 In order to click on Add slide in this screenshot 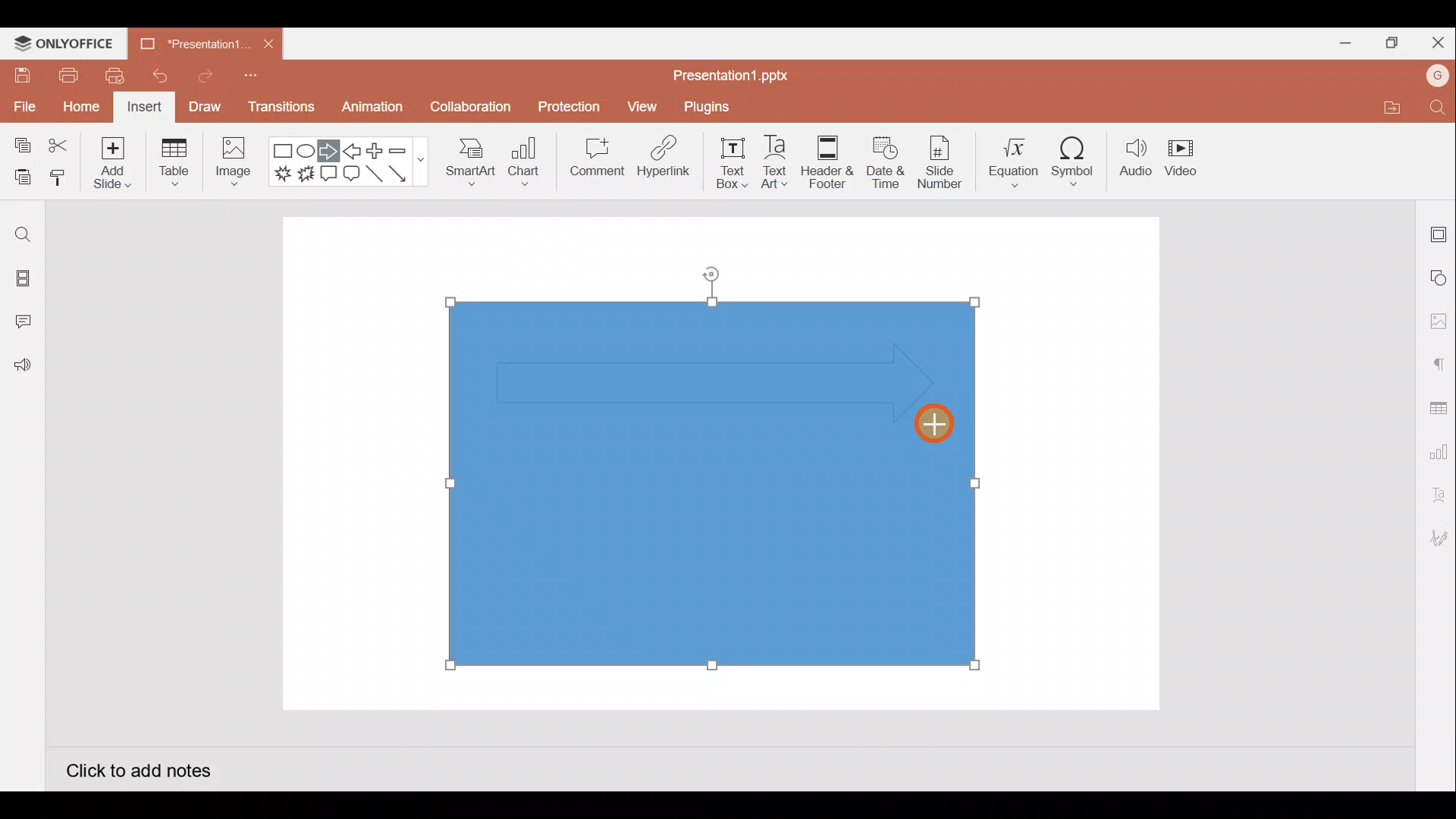, I will do `click(110, 159)`.